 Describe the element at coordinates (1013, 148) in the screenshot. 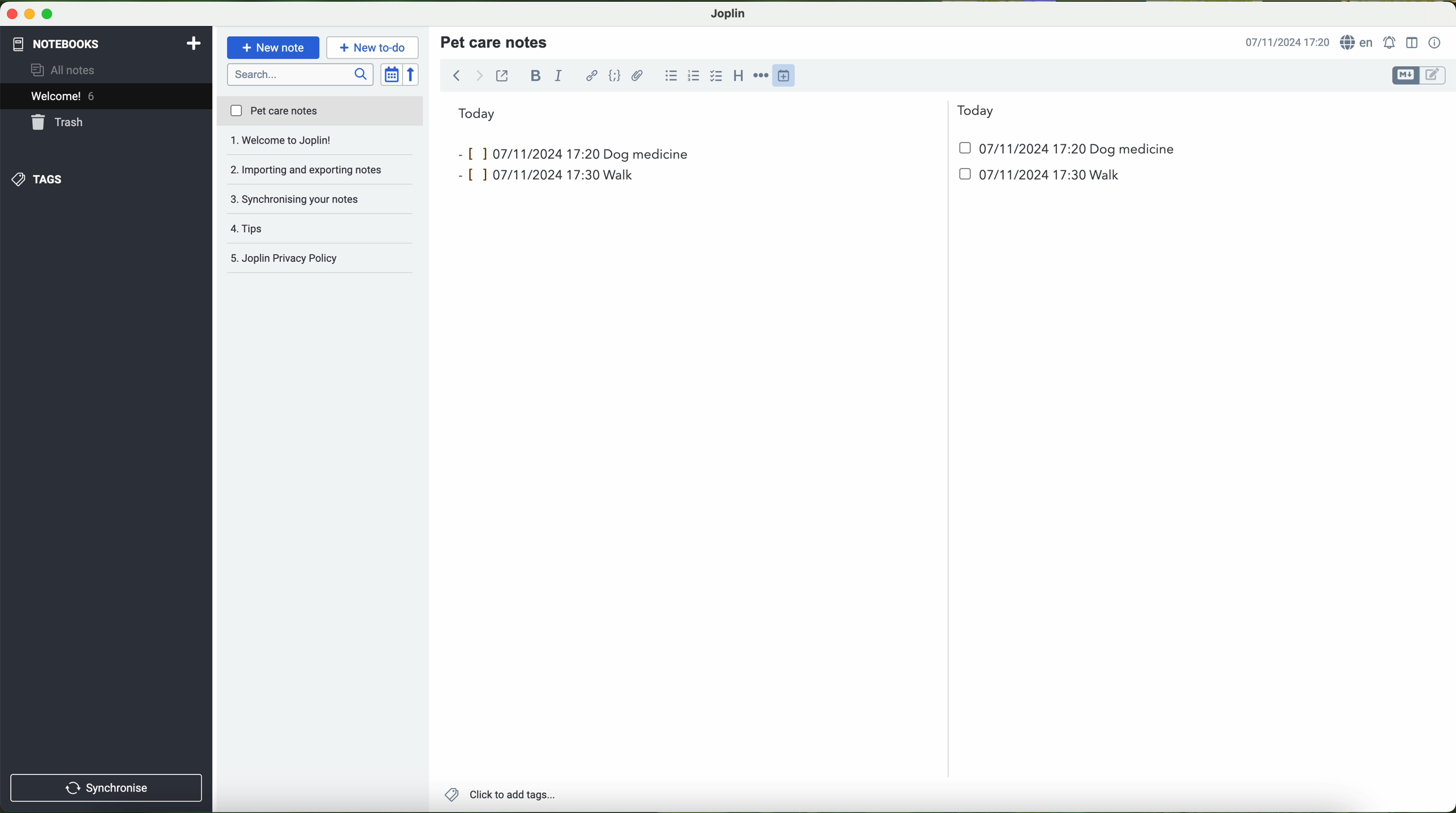

I see `date and hour` at that location.